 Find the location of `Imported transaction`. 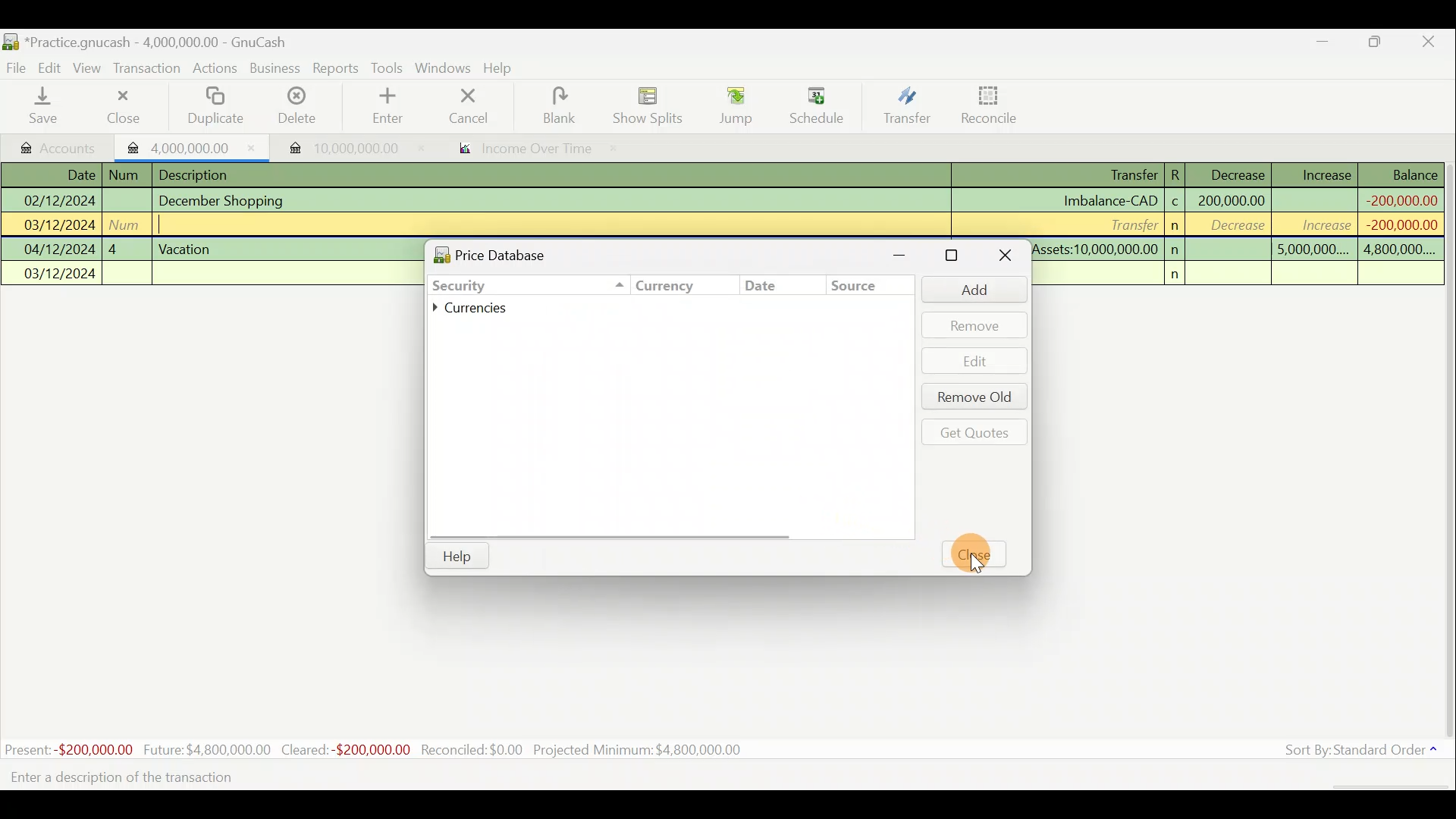

Imported transaction is located at coordinates (186, 146).